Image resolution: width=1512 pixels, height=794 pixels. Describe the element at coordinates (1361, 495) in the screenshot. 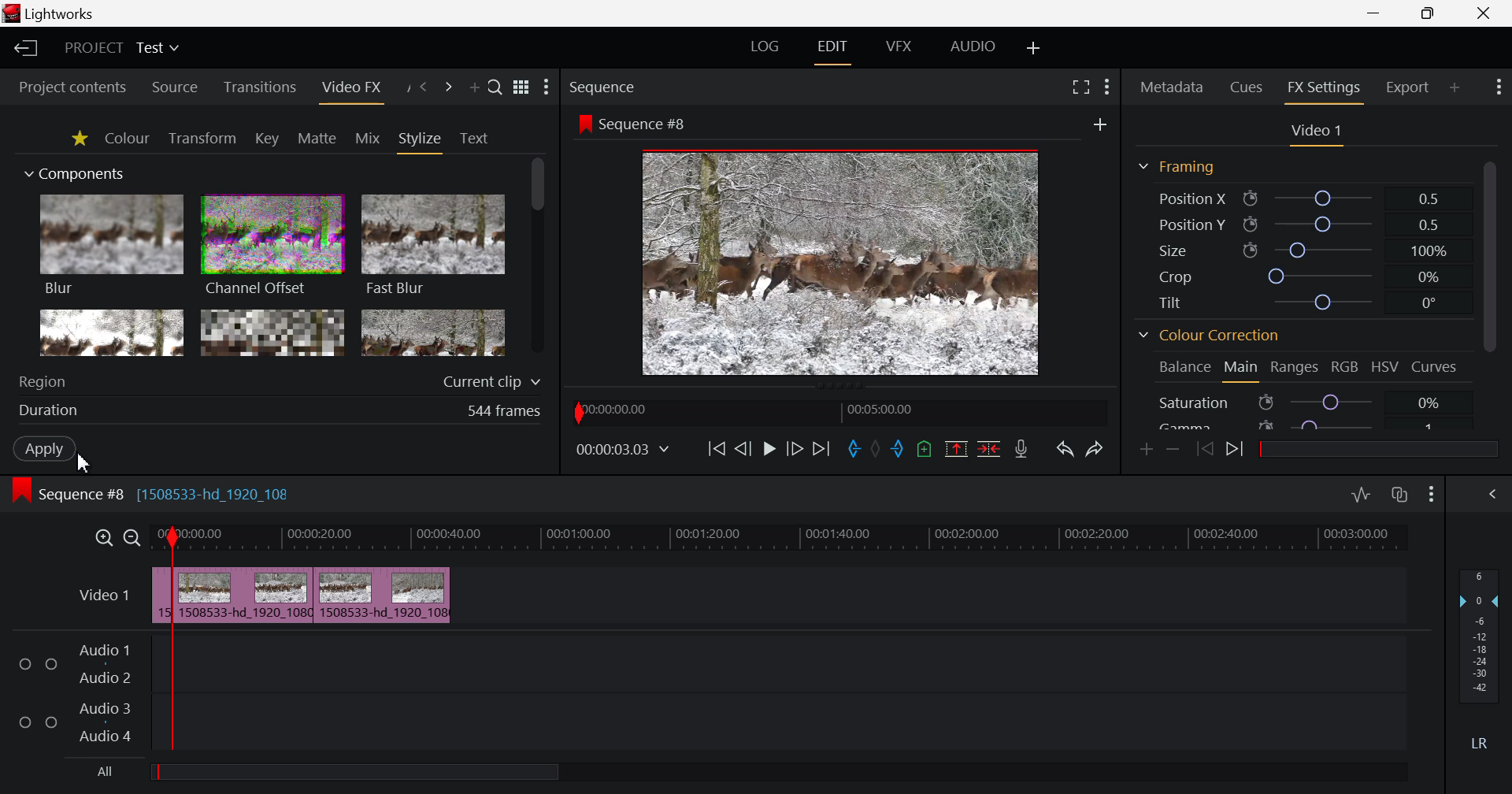

I see `Toggle audio levels editing` at that location.